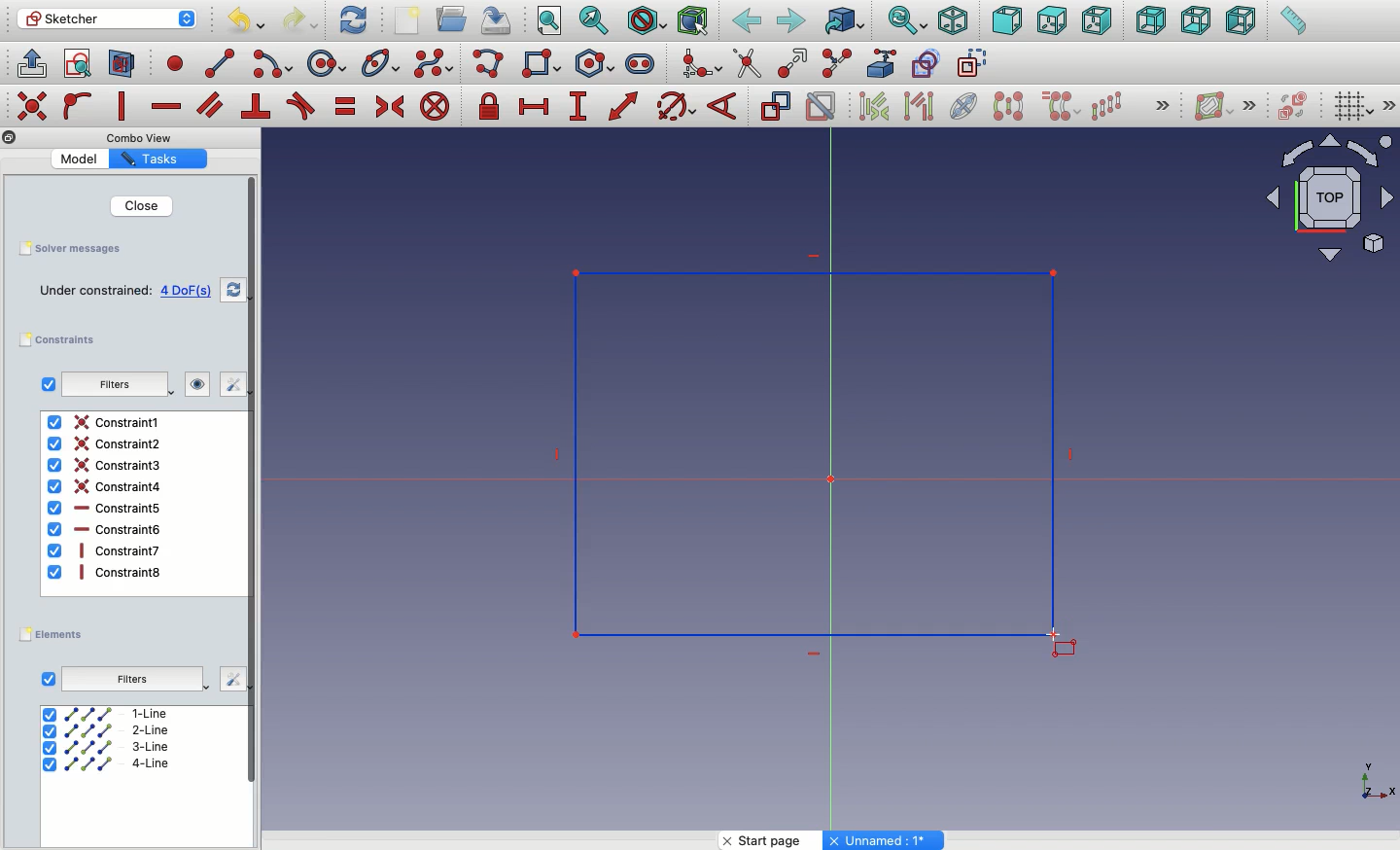 The height and width of the screenshot is (850, 1400). What do you see at coordinates (30, 62) in the screenshot?
I see `leave sketch` at bounding box center [30, 62].